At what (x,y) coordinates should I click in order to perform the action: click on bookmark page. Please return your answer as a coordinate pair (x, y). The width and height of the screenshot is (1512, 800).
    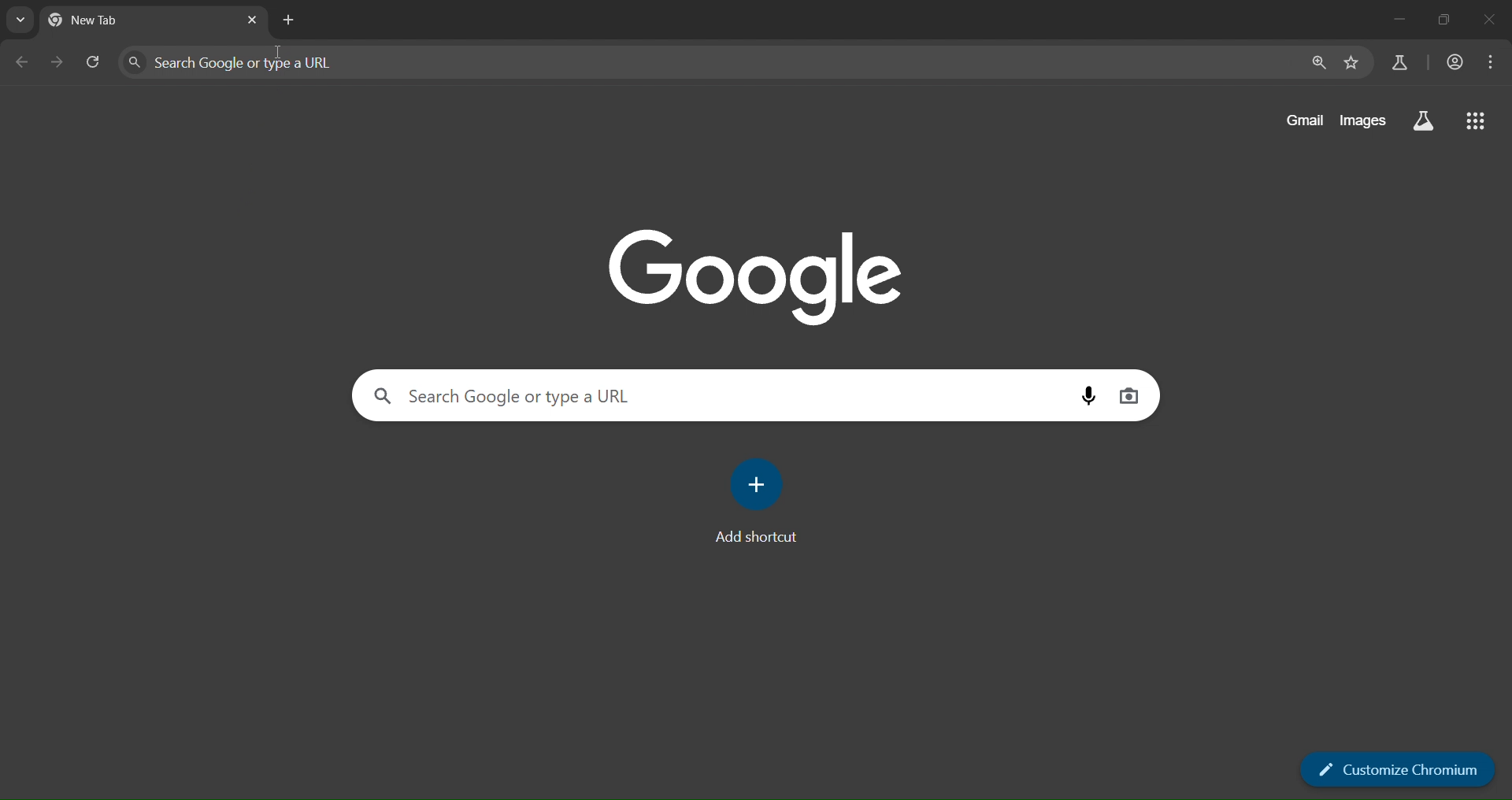
    Looking at the image, I should click on (1349, 64).